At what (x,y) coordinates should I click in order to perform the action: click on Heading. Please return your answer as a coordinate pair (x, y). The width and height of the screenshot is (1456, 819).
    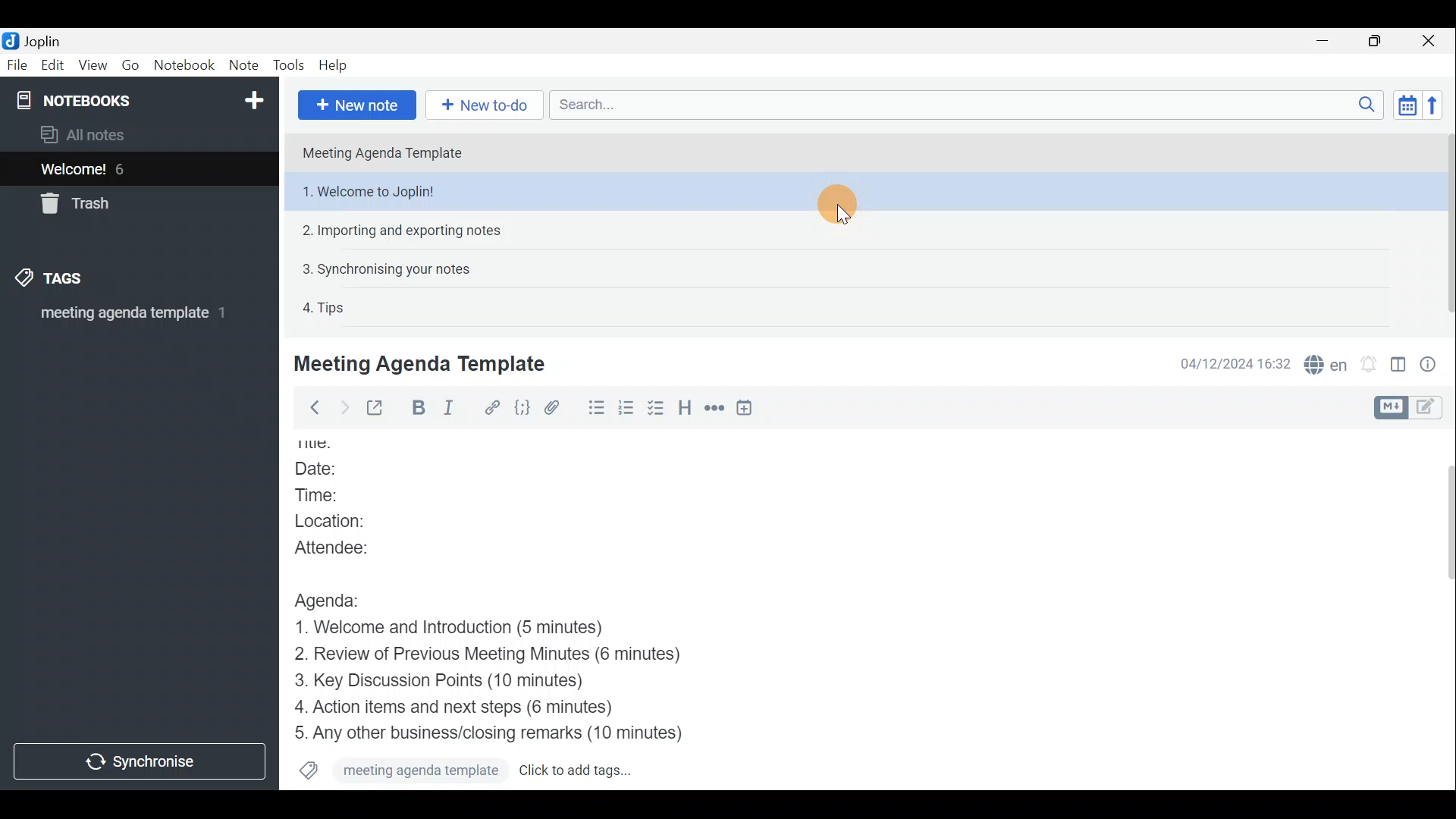
    Looking at the image, I should click on (684, 409).